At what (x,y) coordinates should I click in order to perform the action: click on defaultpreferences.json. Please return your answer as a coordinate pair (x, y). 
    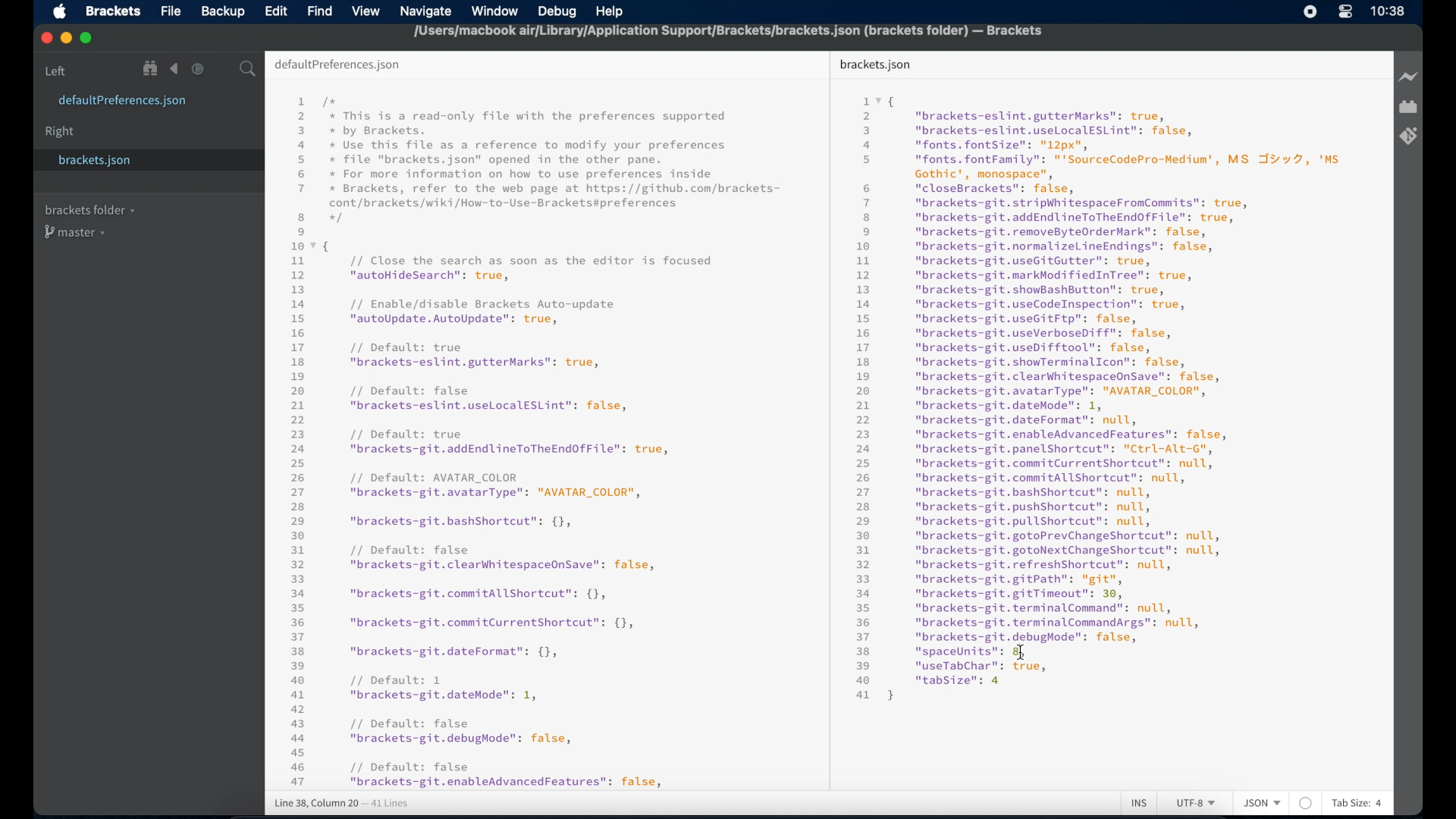
    Looking at the image, I should click on (122, 101).